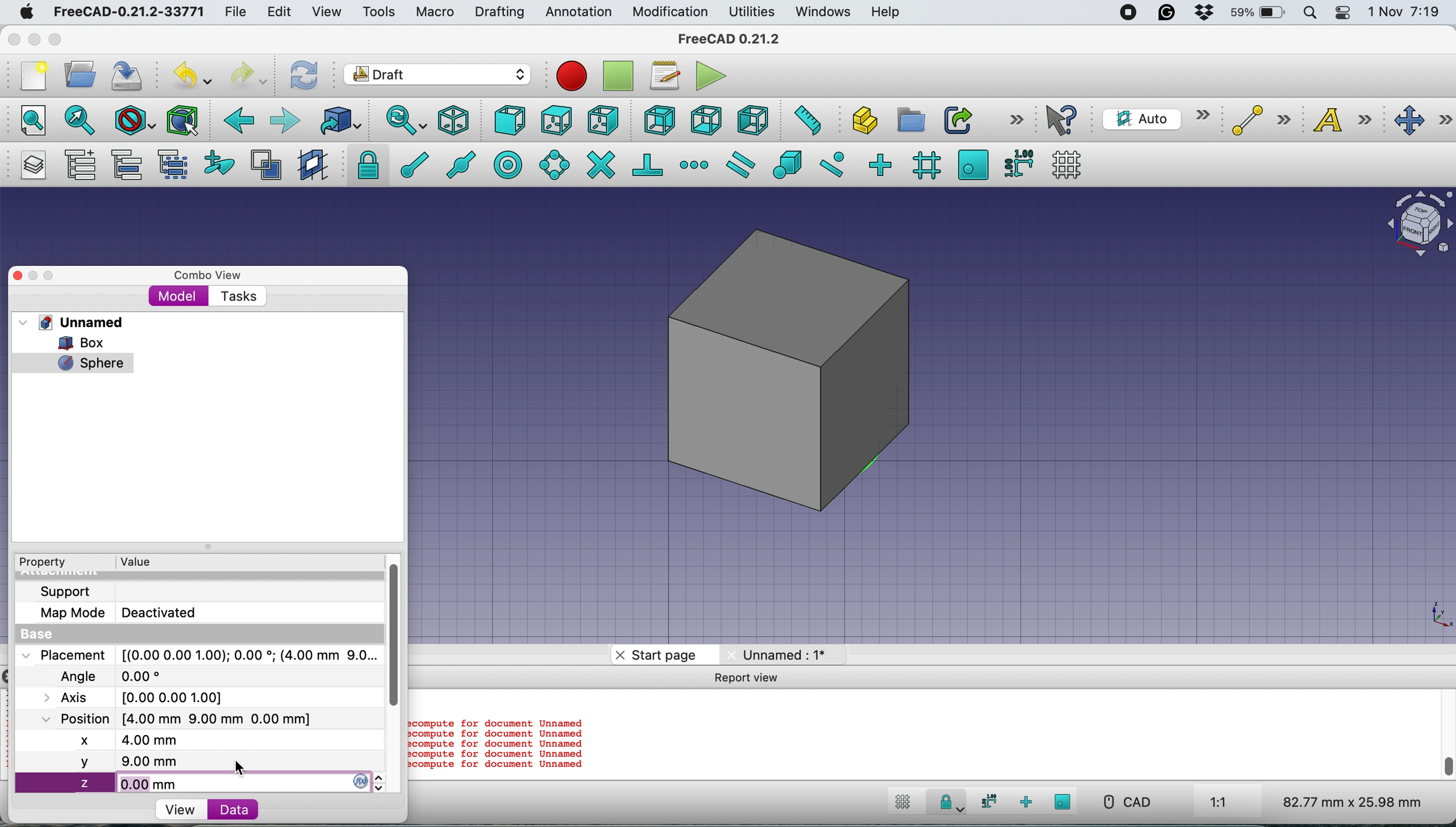  Describe the element at coordinates (1027, 802) in the screenshot. I see `snap ortho` at that location.